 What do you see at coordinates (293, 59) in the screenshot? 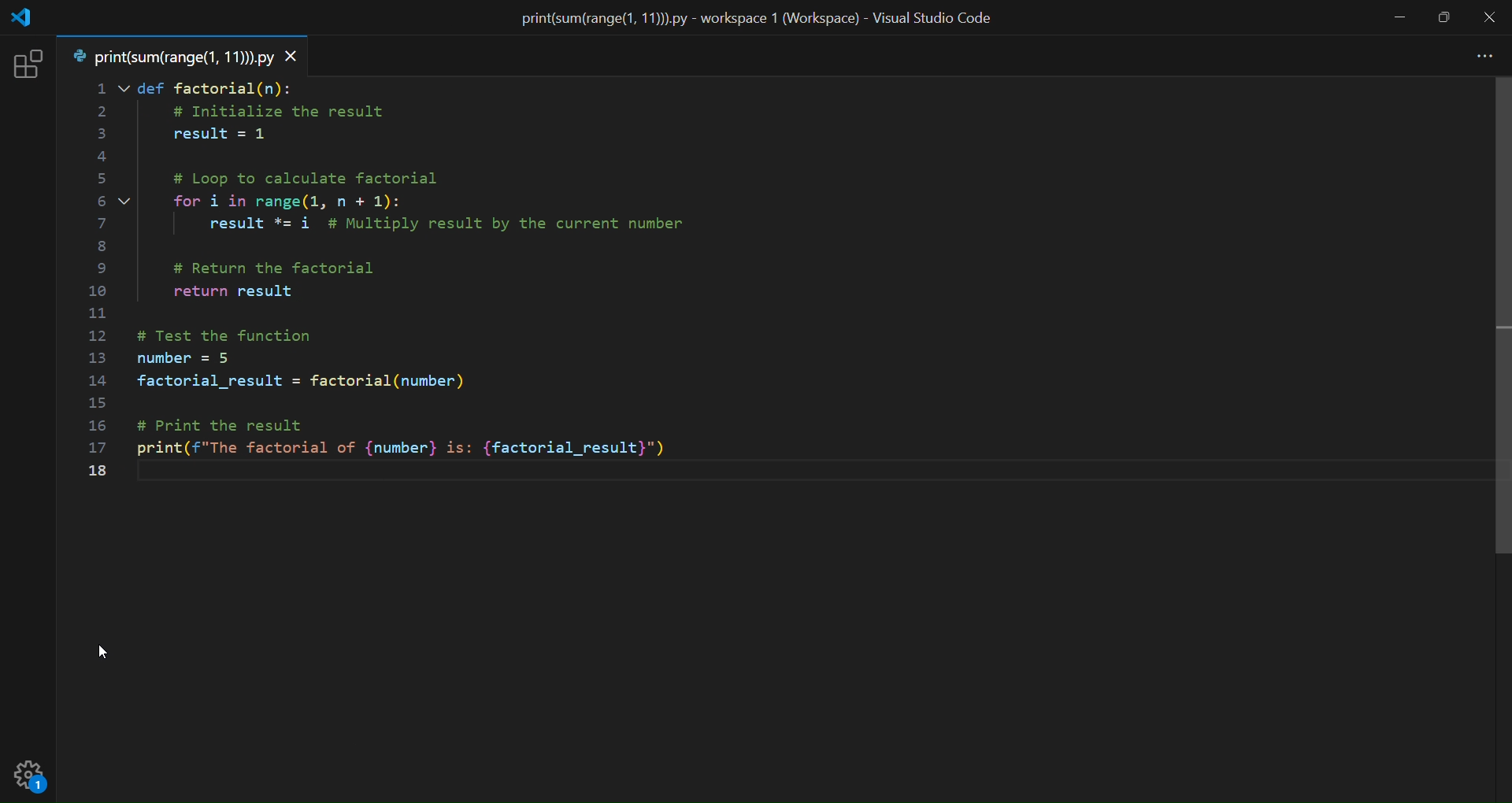
I see `close tab` at bounding box center [293, 59].